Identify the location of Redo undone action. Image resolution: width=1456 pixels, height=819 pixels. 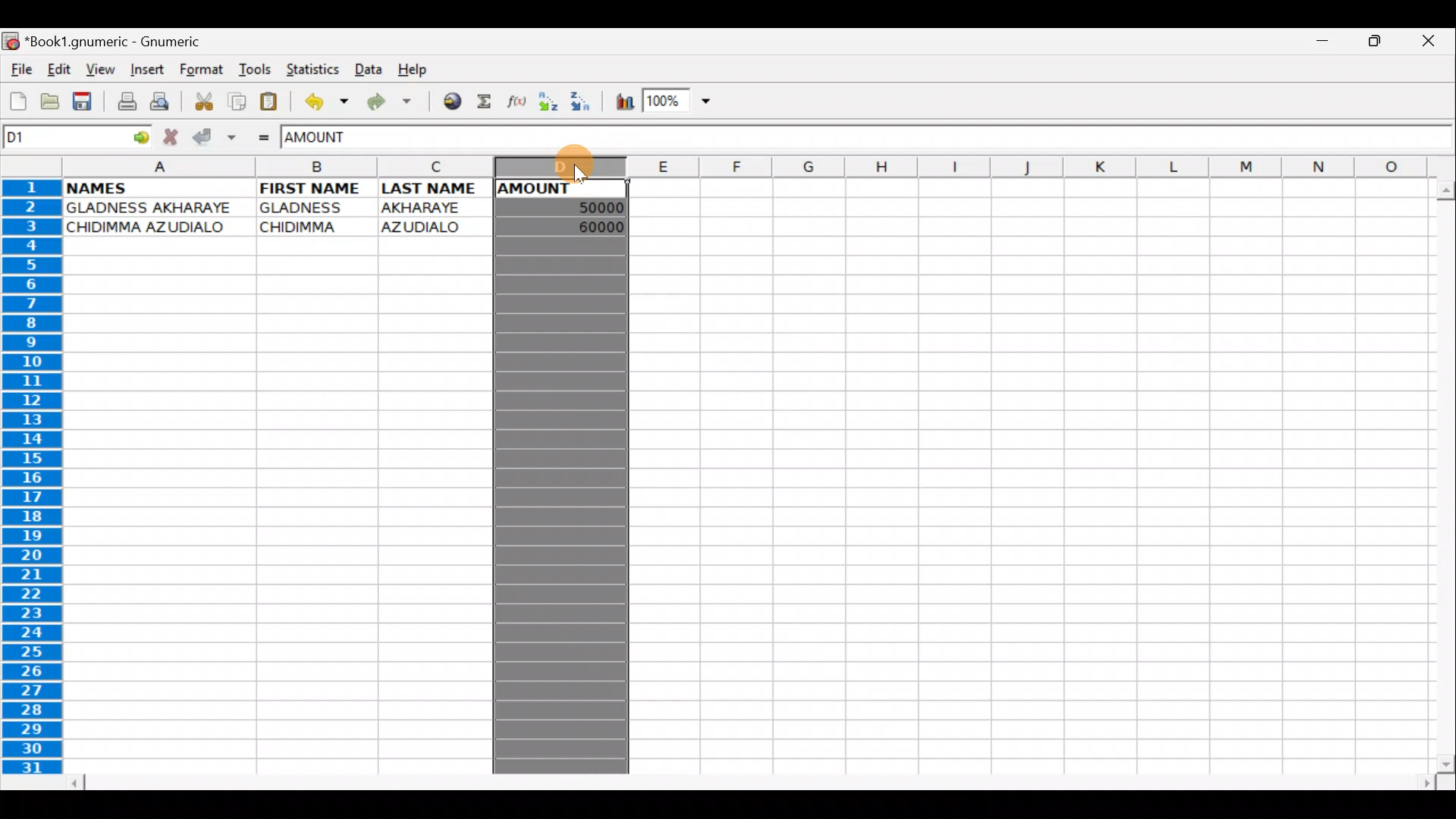
(386, 102).